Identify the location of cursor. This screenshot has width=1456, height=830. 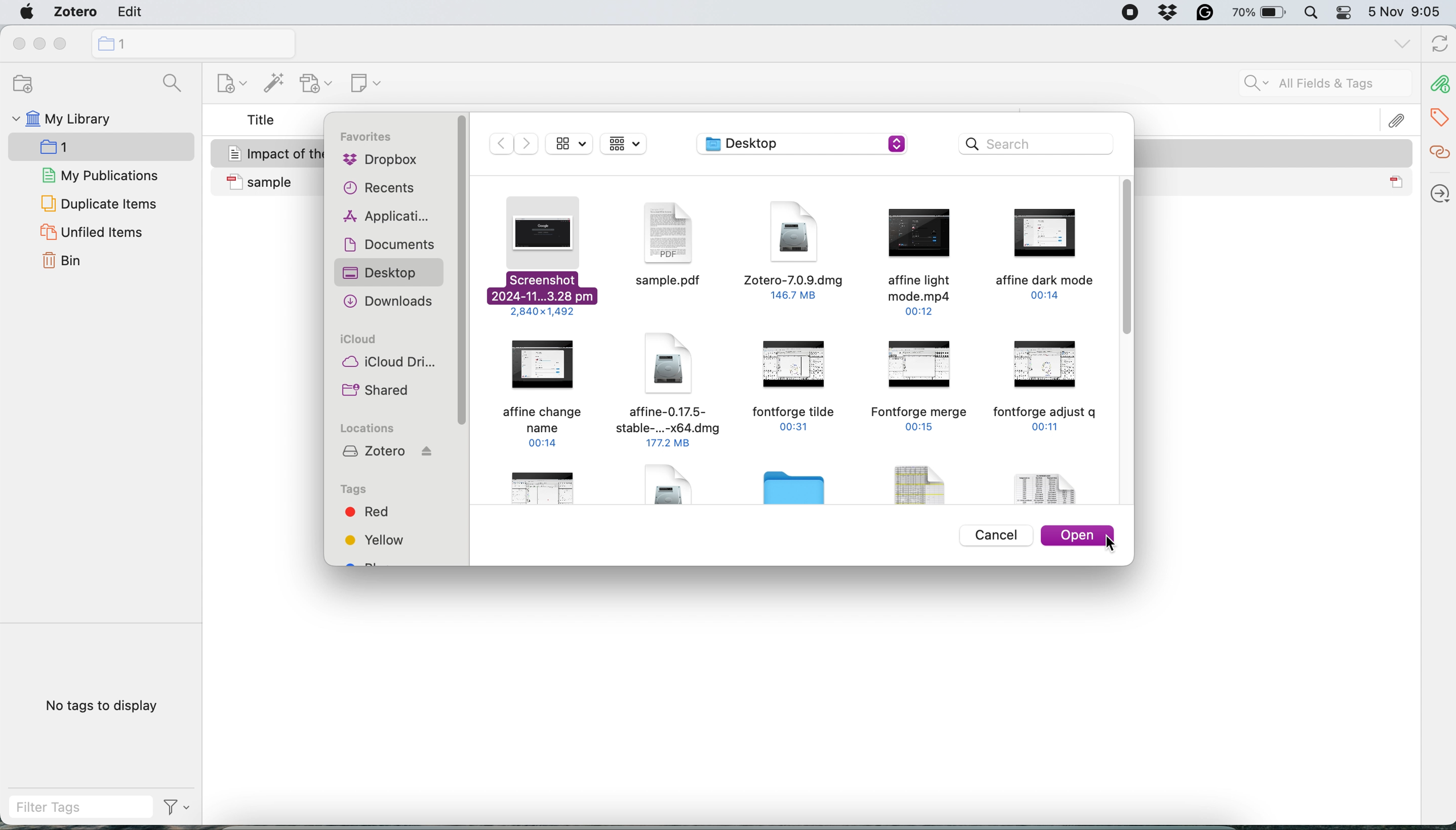
(1109, 544).